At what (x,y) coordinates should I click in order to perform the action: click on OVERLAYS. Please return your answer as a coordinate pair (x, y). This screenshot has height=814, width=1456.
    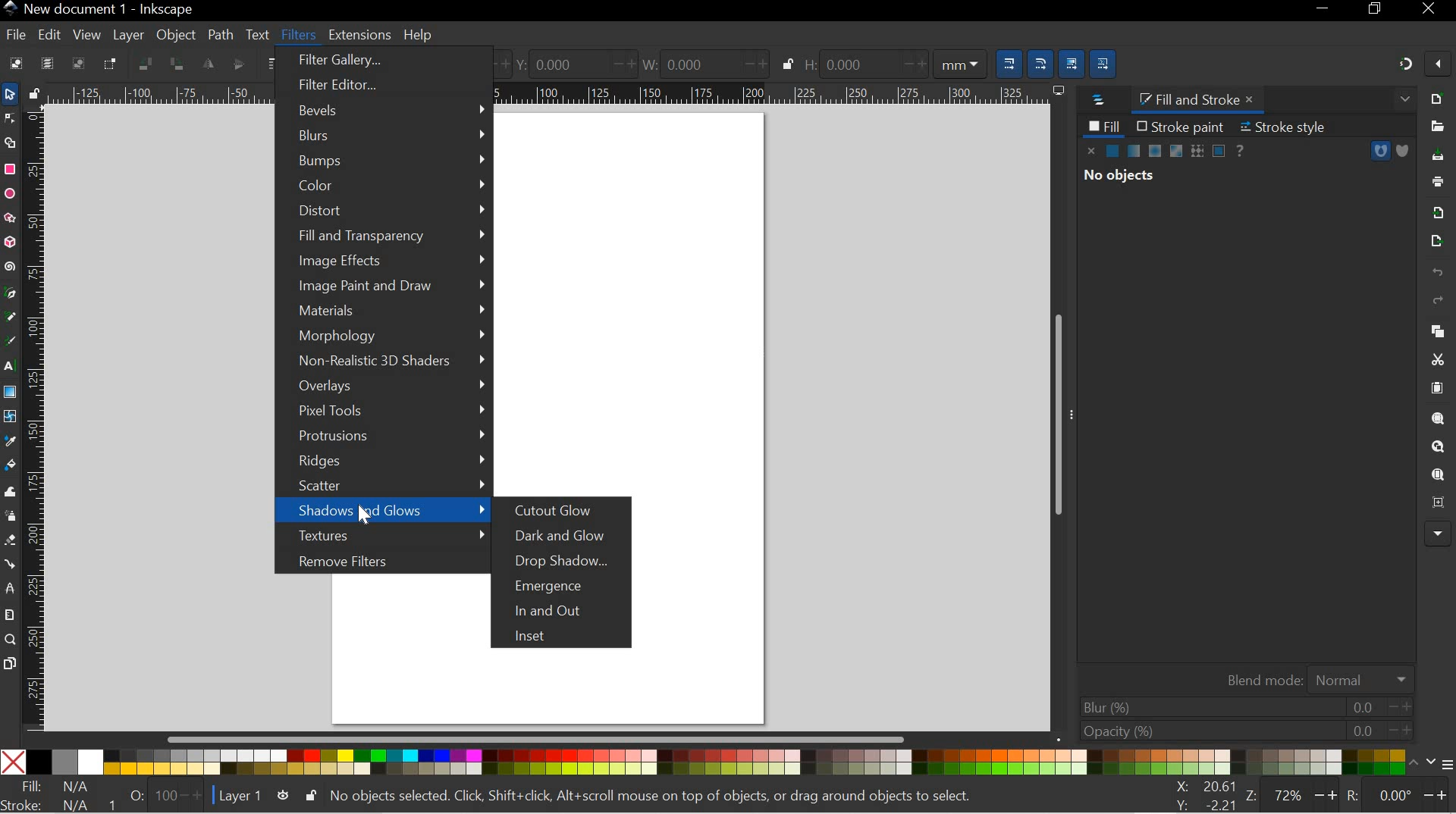
    Looking at the image, I should click on (386, 387).